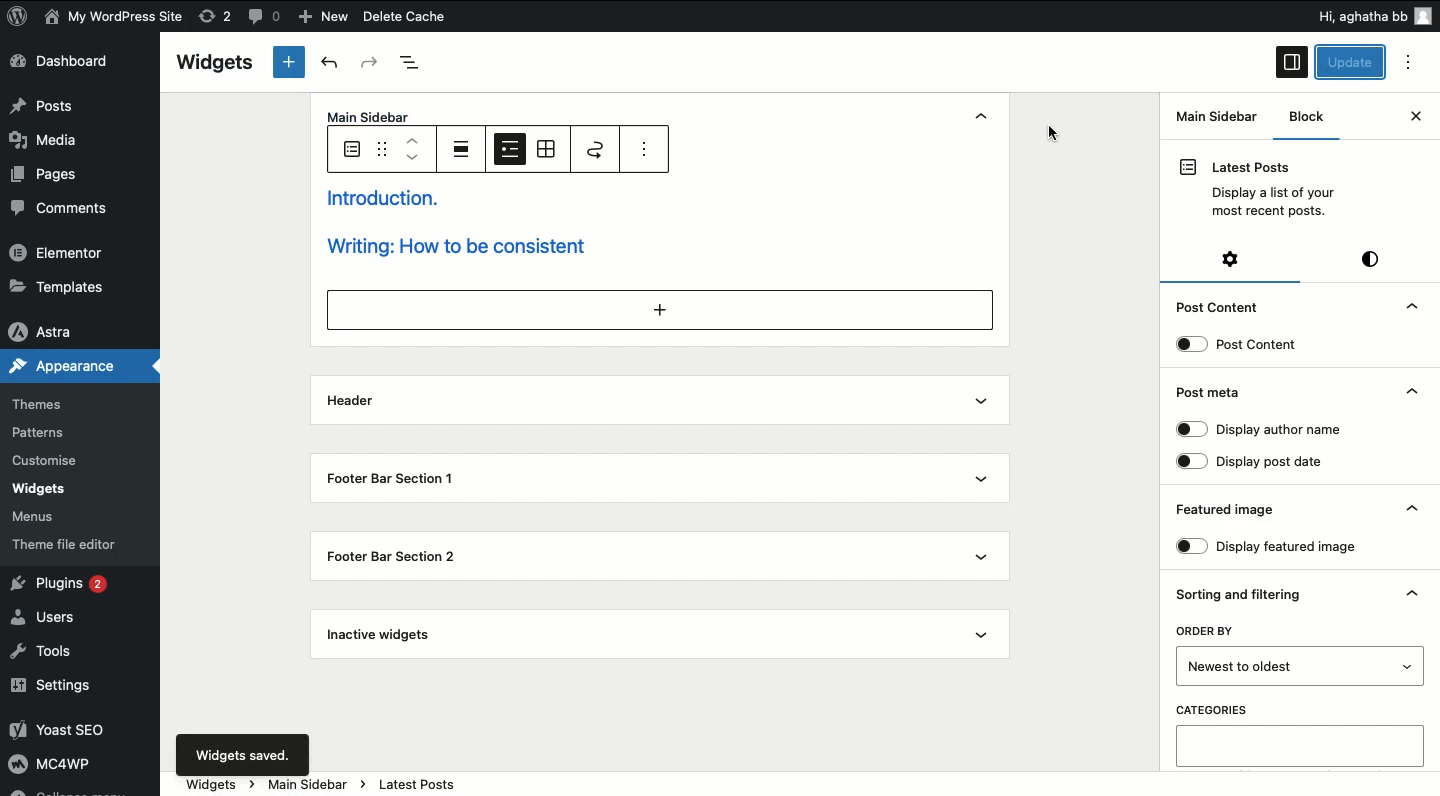  What do you see at coordinates (1212, 113) in the screenshot?
I see `Main Sidebar` at bounding box center [1212, 113].